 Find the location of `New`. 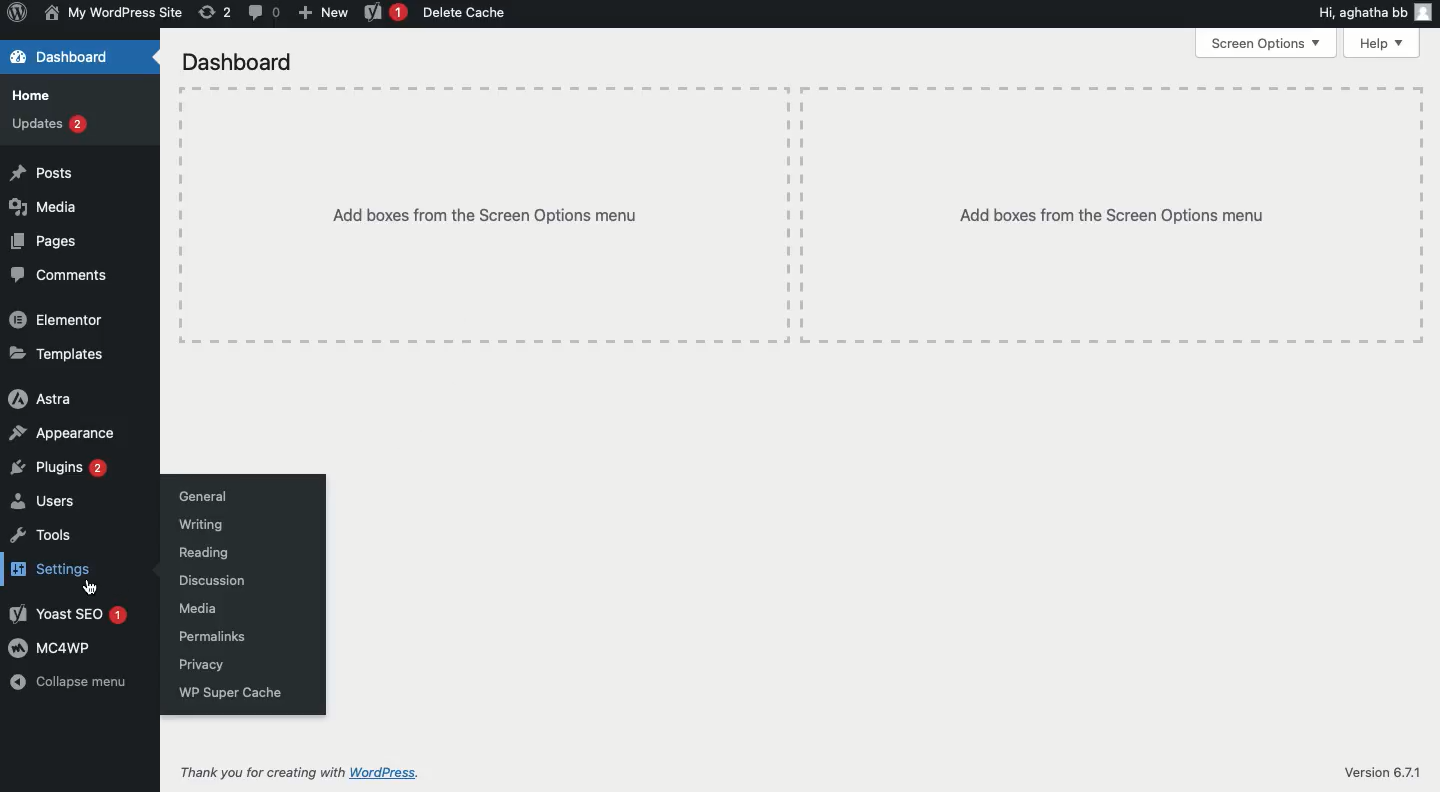

New is located at coordinates (323, 11).